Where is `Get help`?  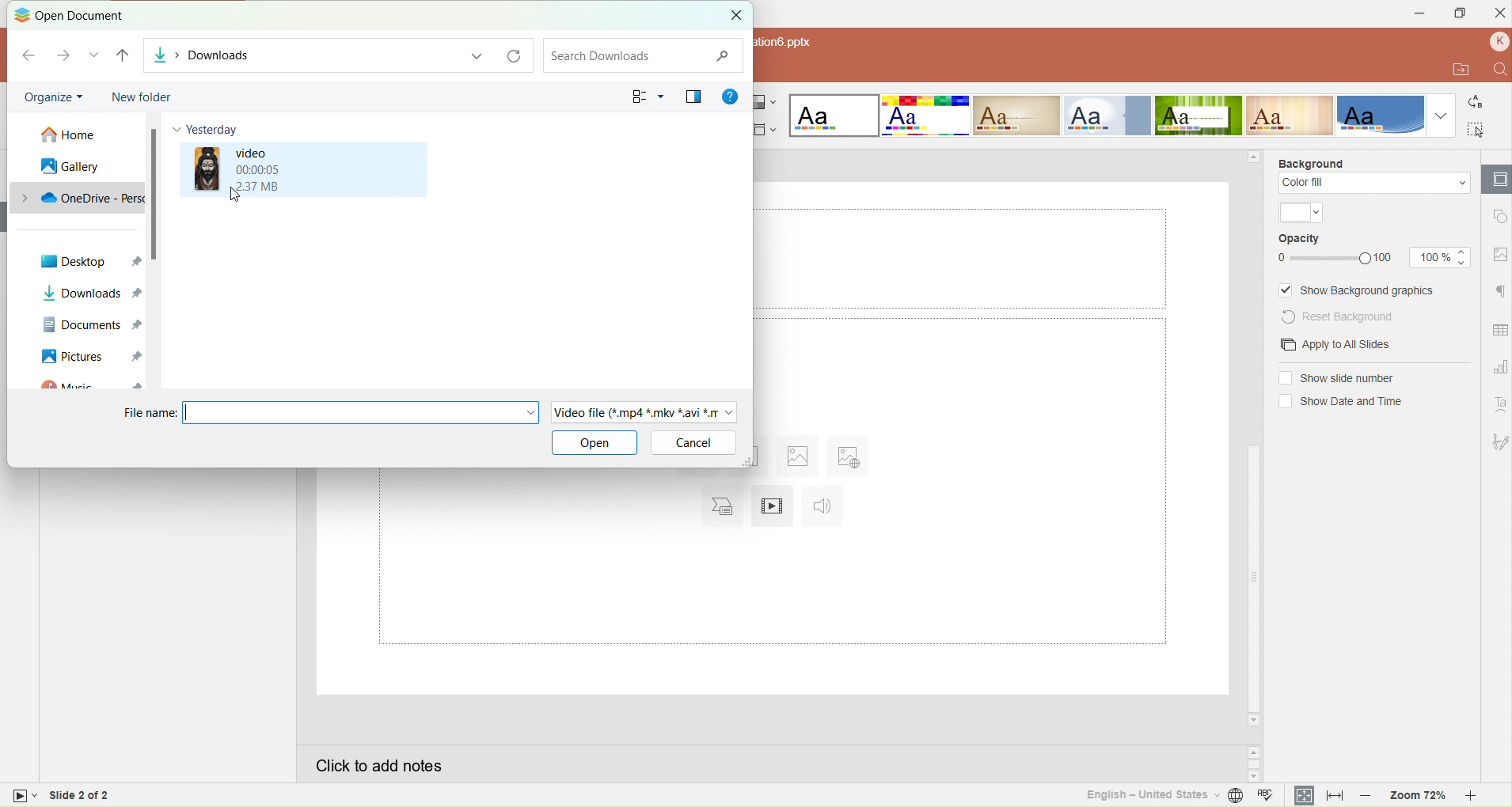
Get help is located at coordinates (731, 97).